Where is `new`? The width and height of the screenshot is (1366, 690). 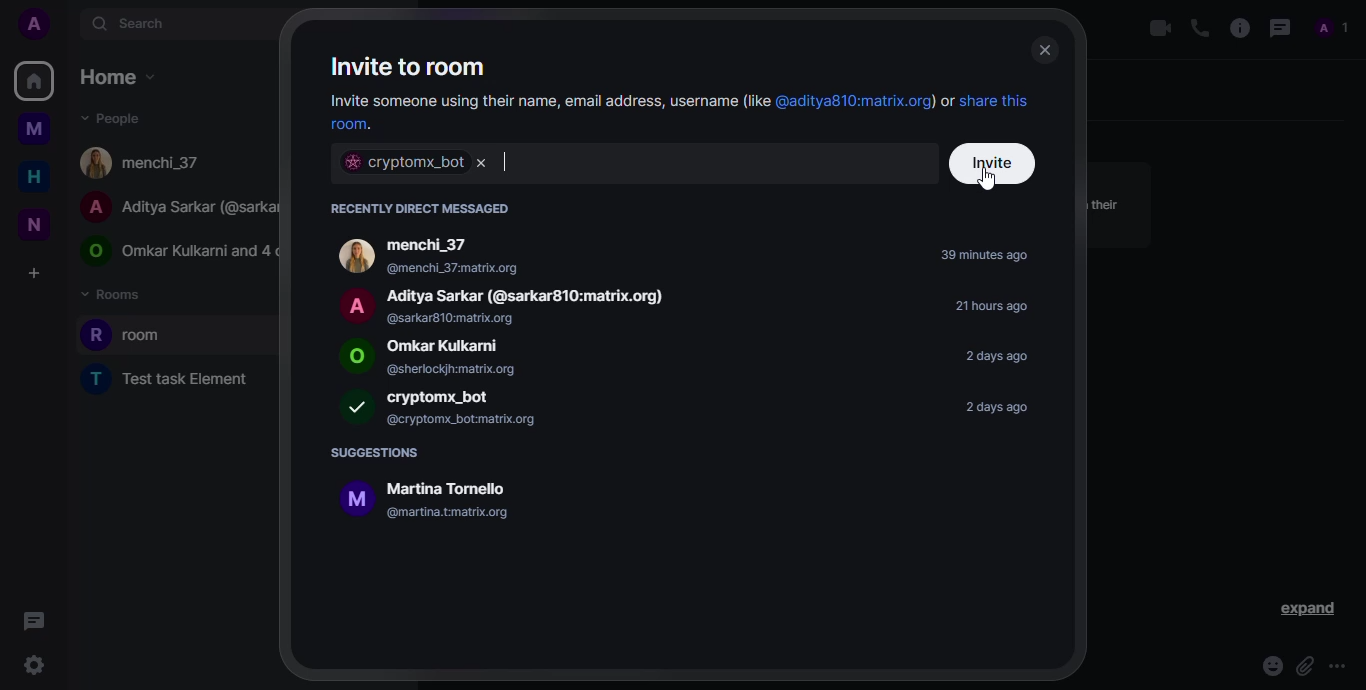 new is located at coordinates (35, 223).